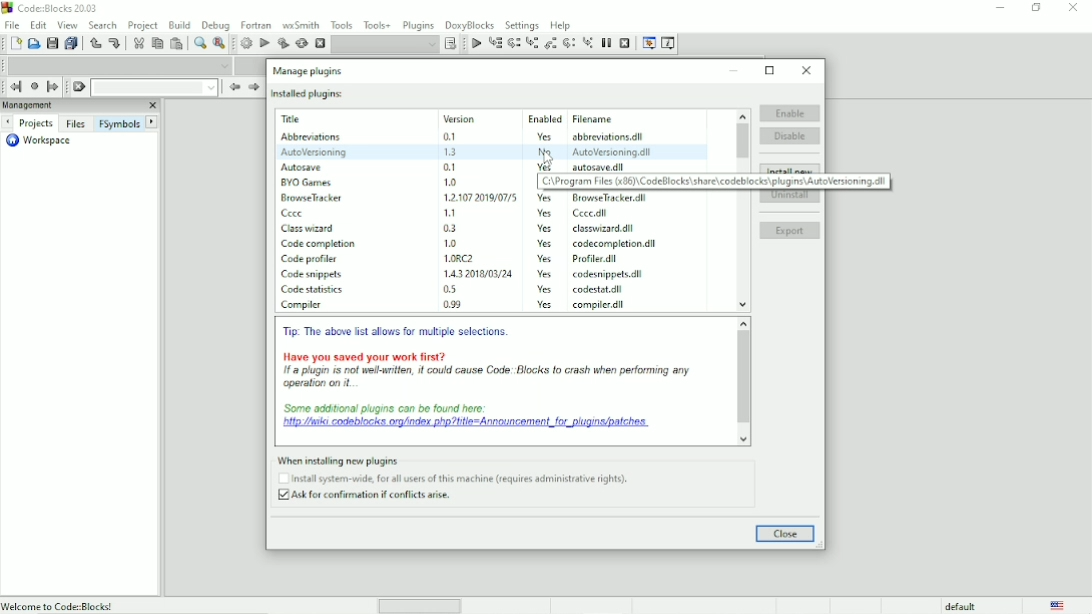 The width and height of the screenshot is (1092, 614). What do you see at coordinates (569, 43) in the screenshot?
I see `Next instruction` at bounding box center [569, 43].